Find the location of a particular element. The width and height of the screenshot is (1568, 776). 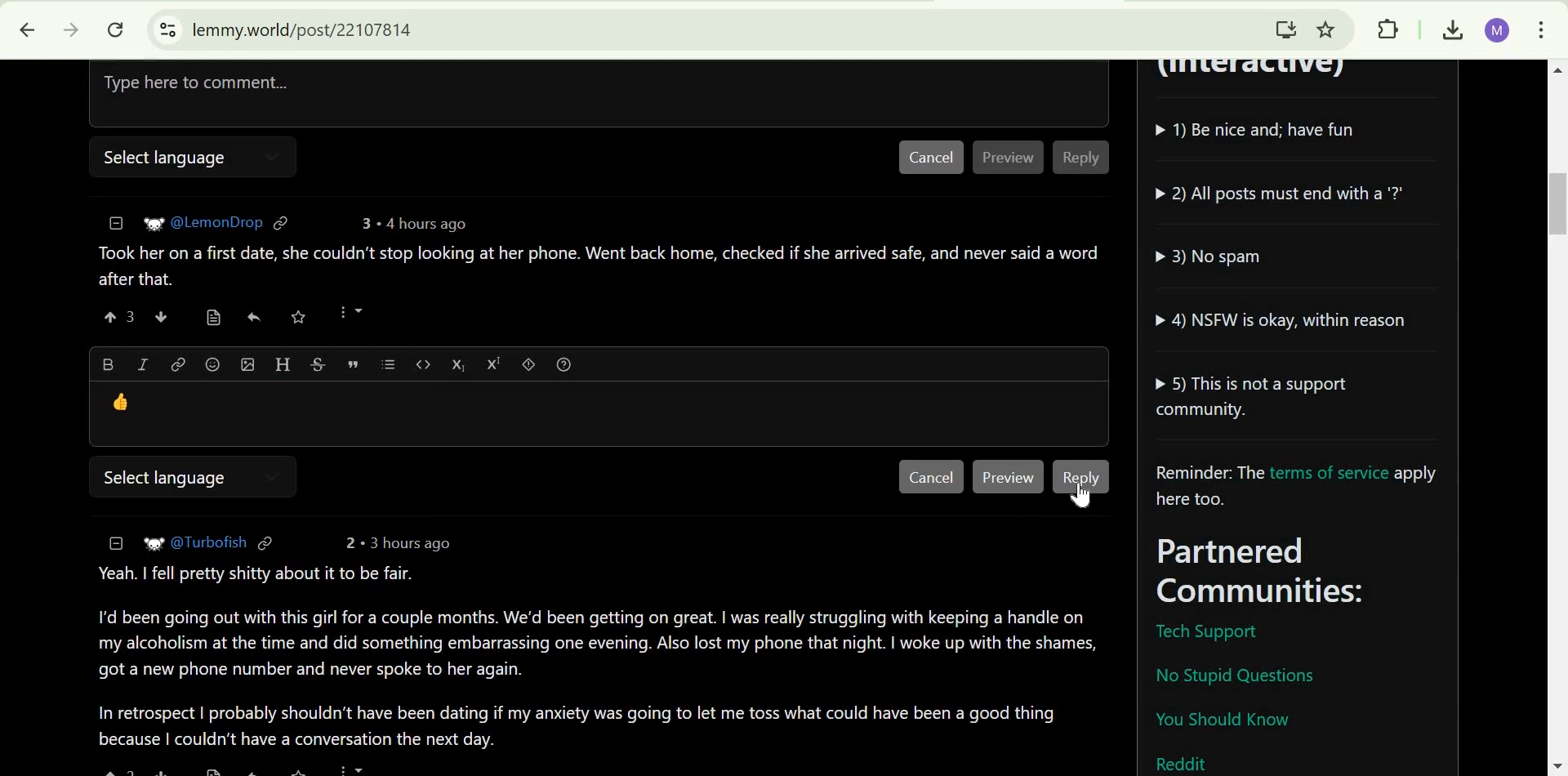

quote is located at coordinates (354, 364).